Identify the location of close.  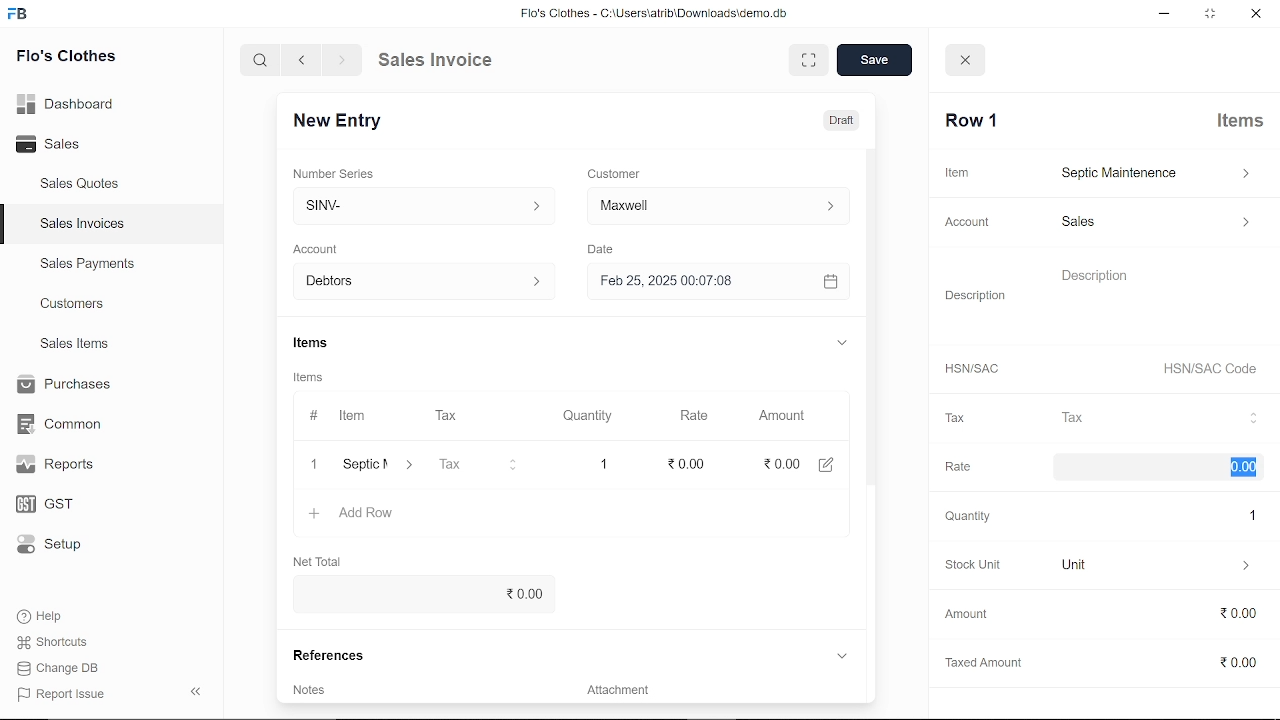
(967, 61).